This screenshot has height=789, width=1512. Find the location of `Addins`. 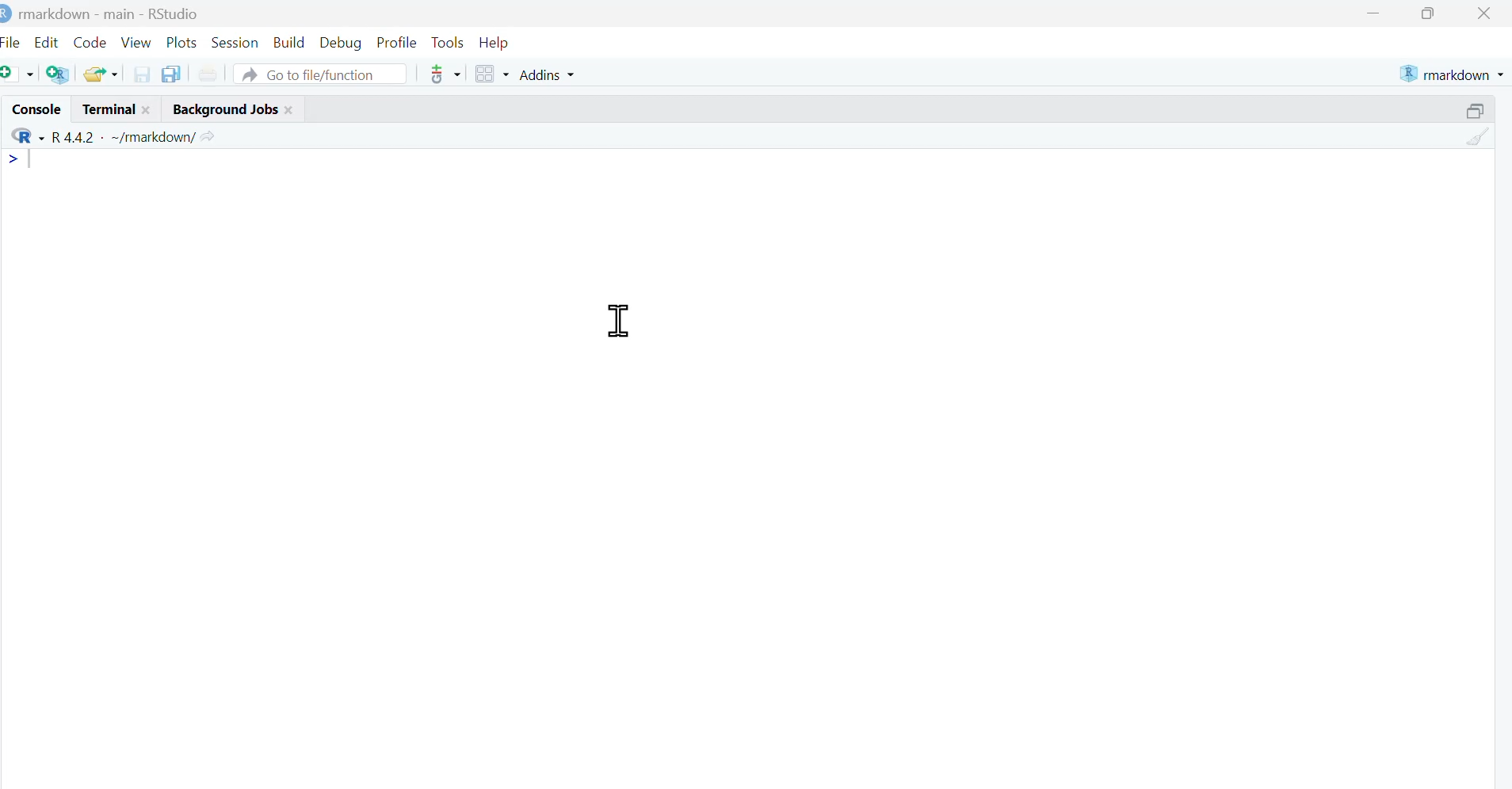

Addins is located at coordinates (550, 74).